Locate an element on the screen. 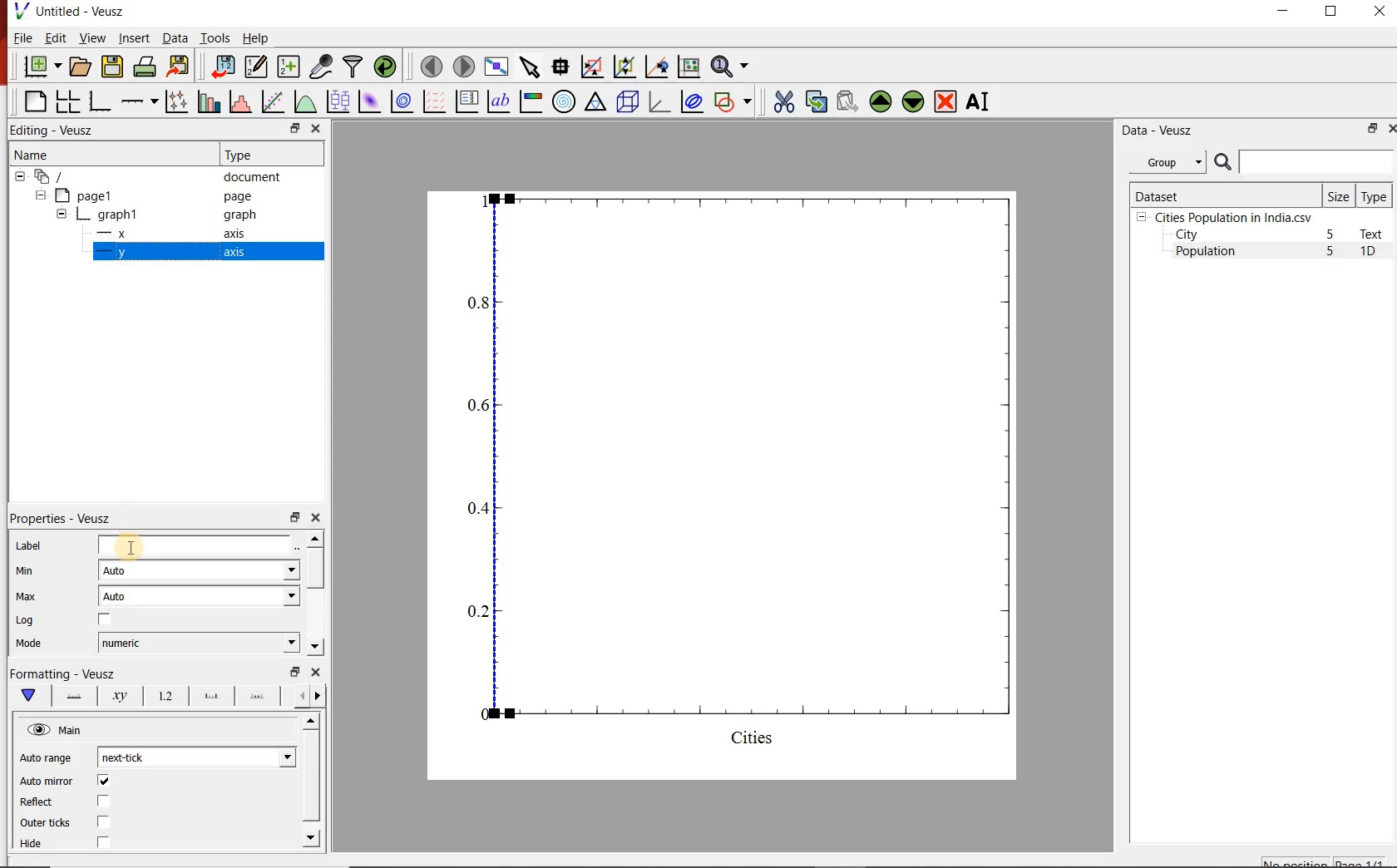 This screenshot has width=1397, height=868. base graph is located at coordinates (98, 101).